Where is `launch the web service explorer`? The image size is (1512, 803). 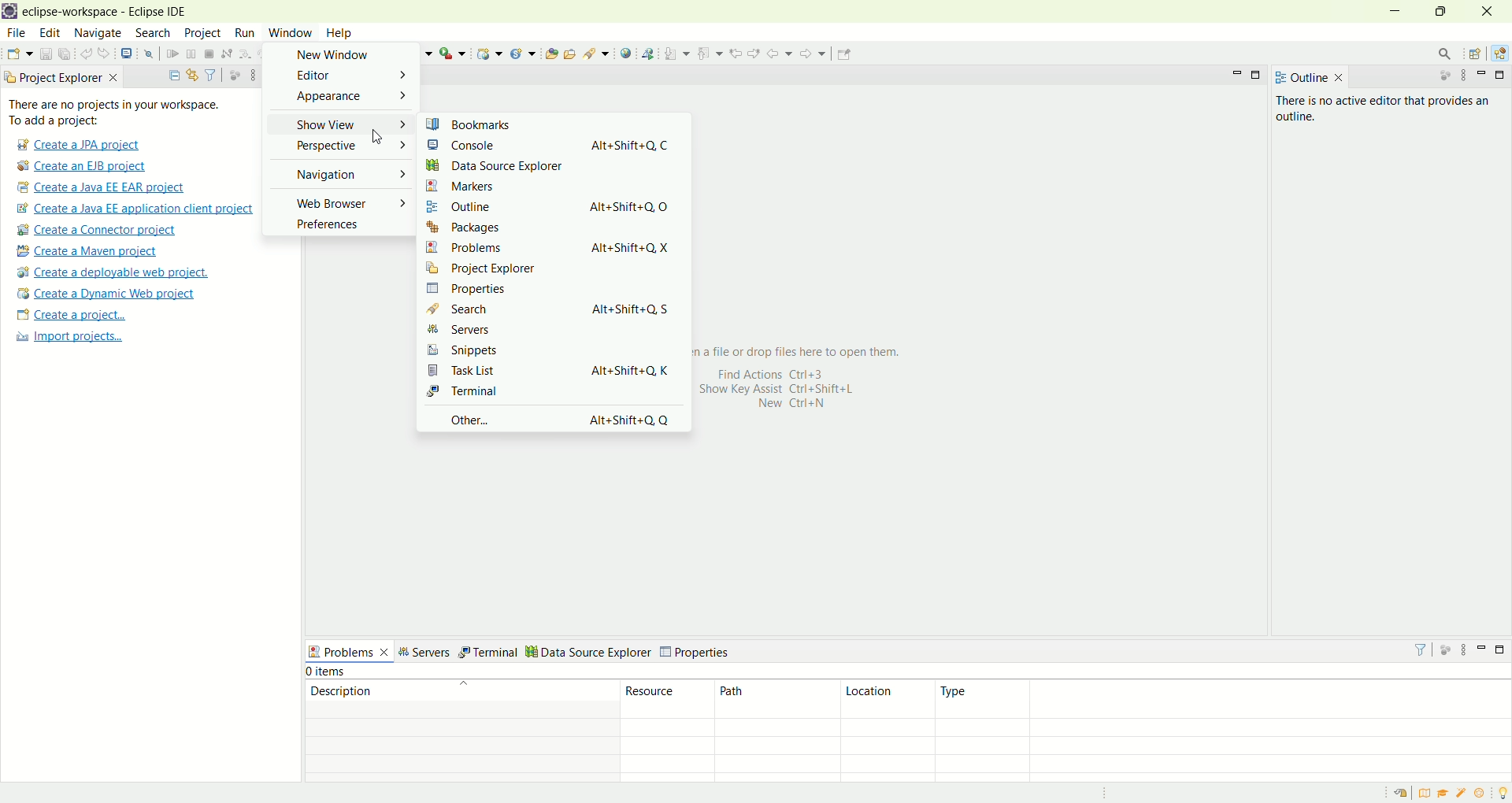
launch the web service explorer is located at coordinates (647, 54).